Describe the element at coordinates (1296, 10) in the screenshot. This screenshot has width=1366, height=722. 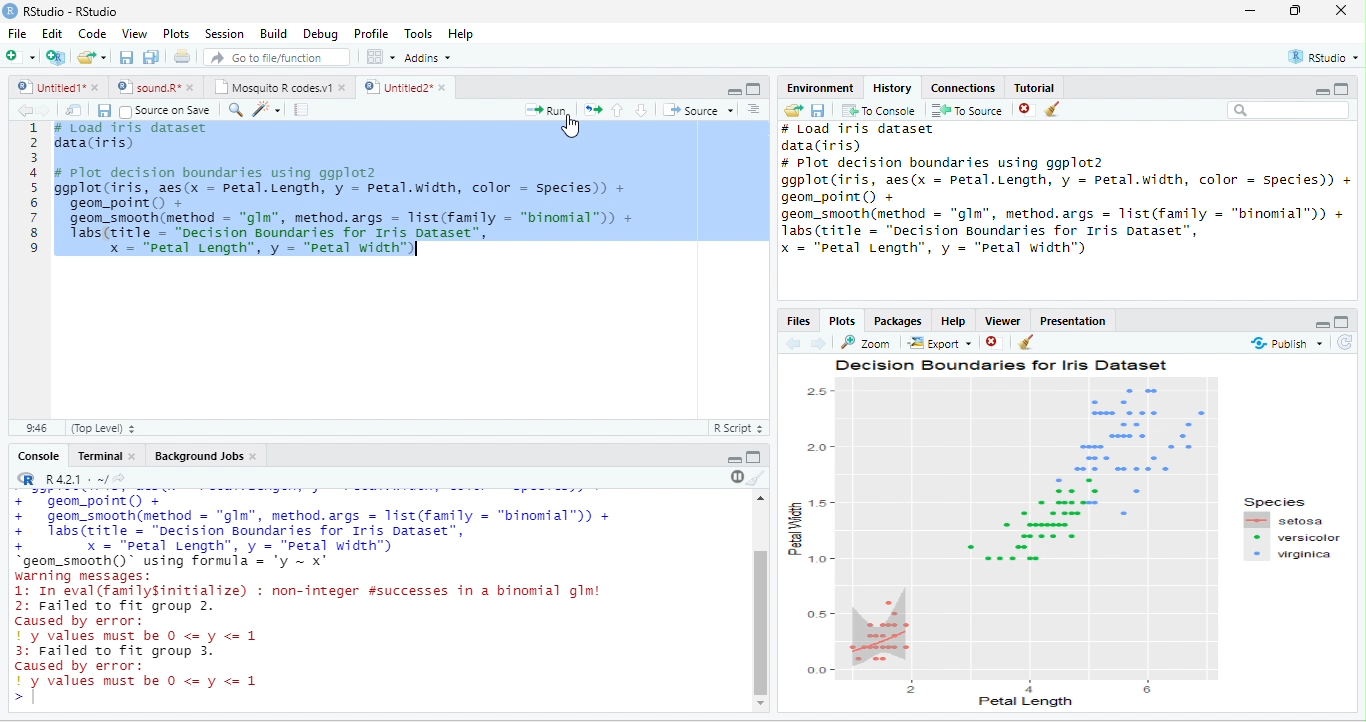
I see `resize` at that location.